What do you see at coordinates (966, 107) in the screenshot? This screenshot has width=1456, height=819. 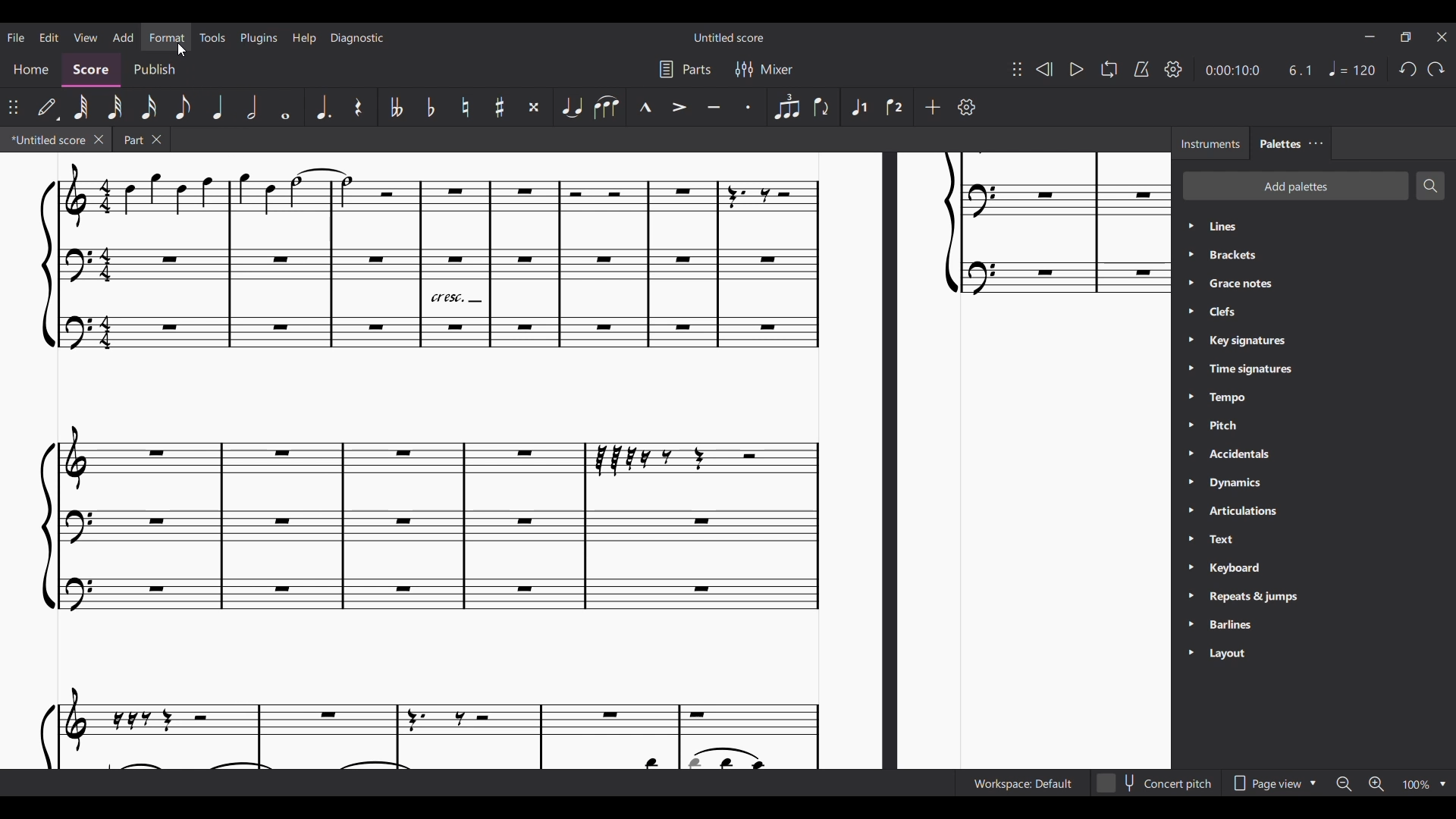 I see `Customize toolbar` at bounding box center [966, 107].